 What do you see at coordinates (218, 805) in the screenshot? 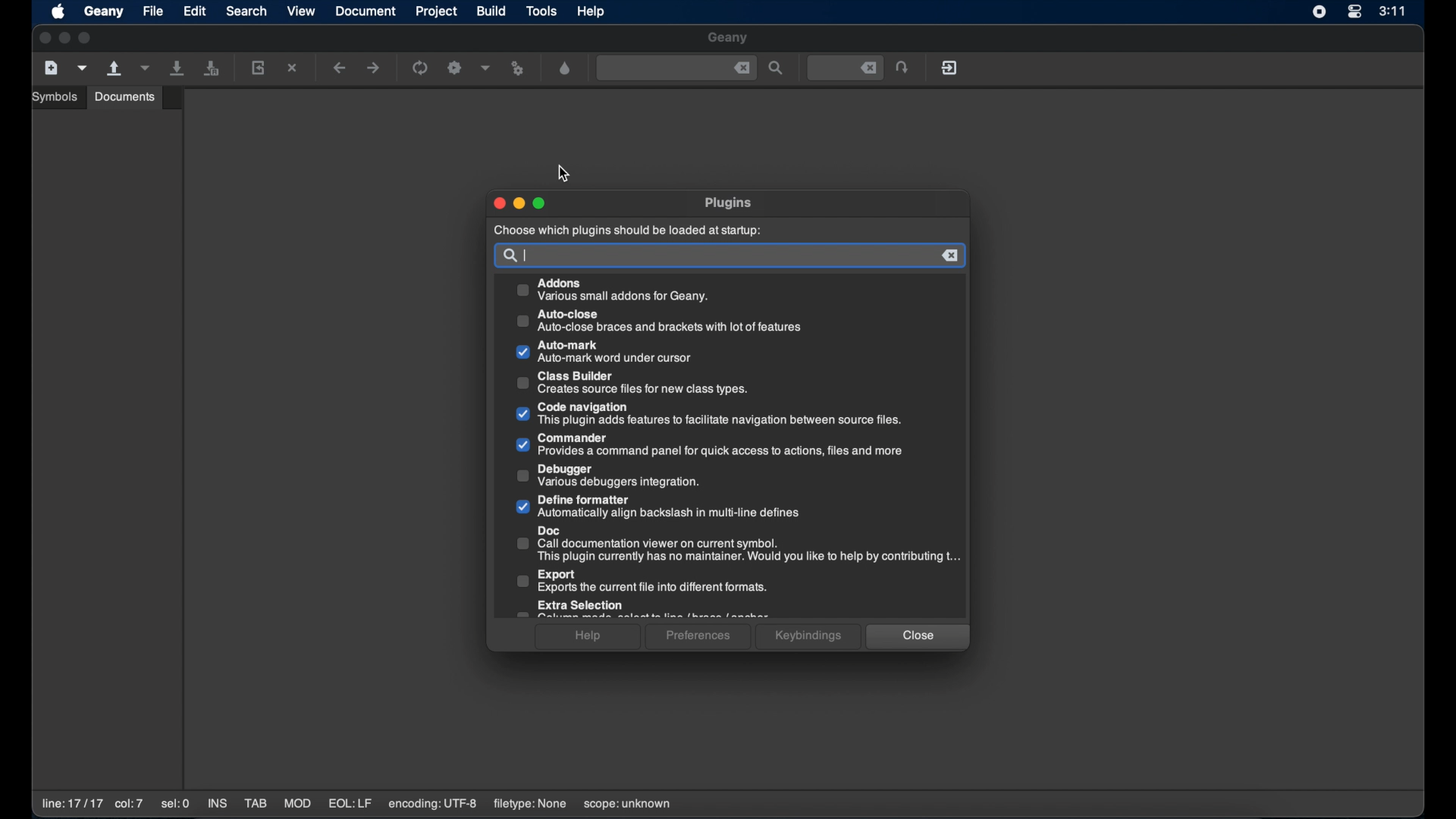
I see `INS` at bounding box center [218, 805].